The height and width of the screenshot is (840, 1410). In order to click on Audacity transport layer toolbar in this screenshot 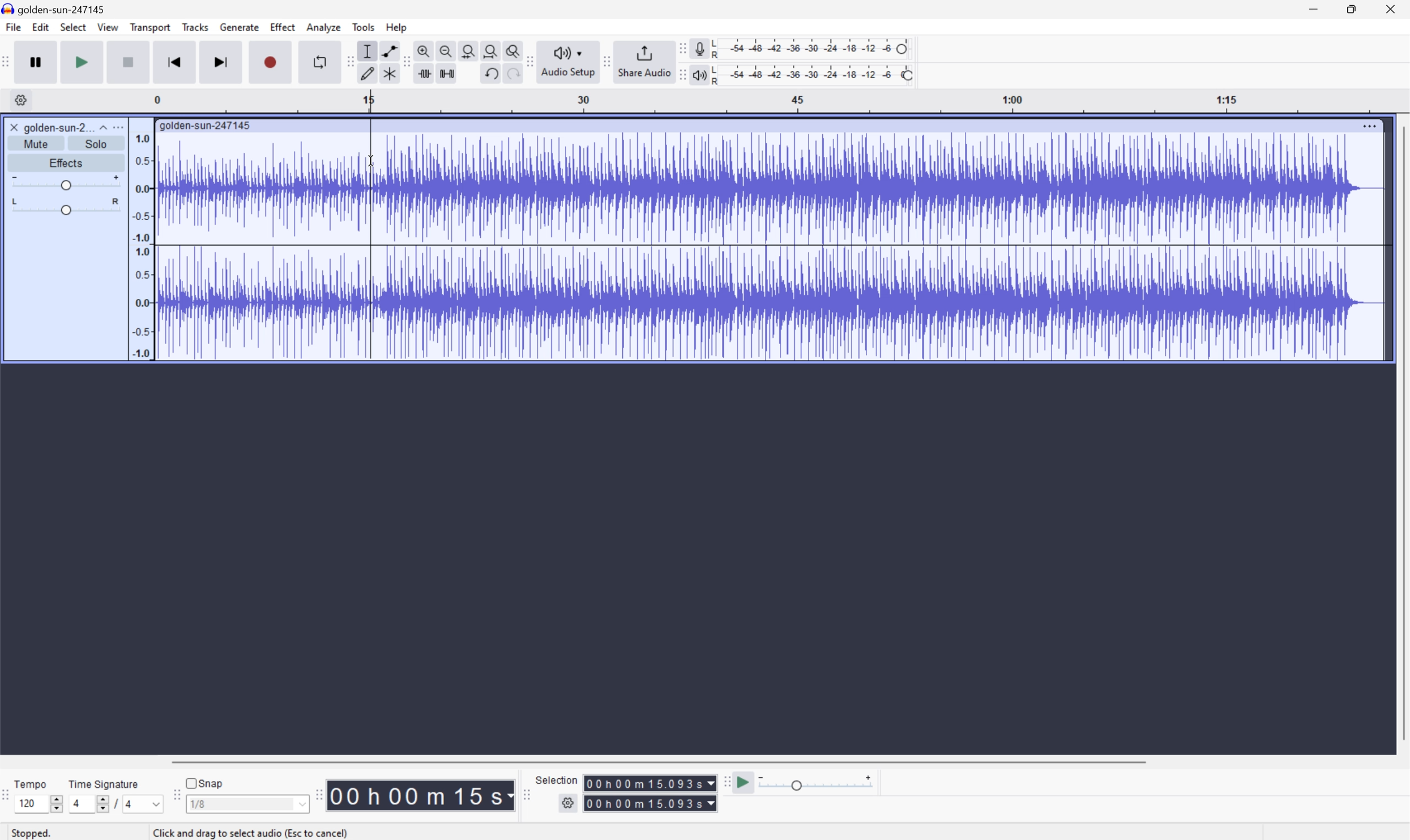, I will do `click(6, 62)`.